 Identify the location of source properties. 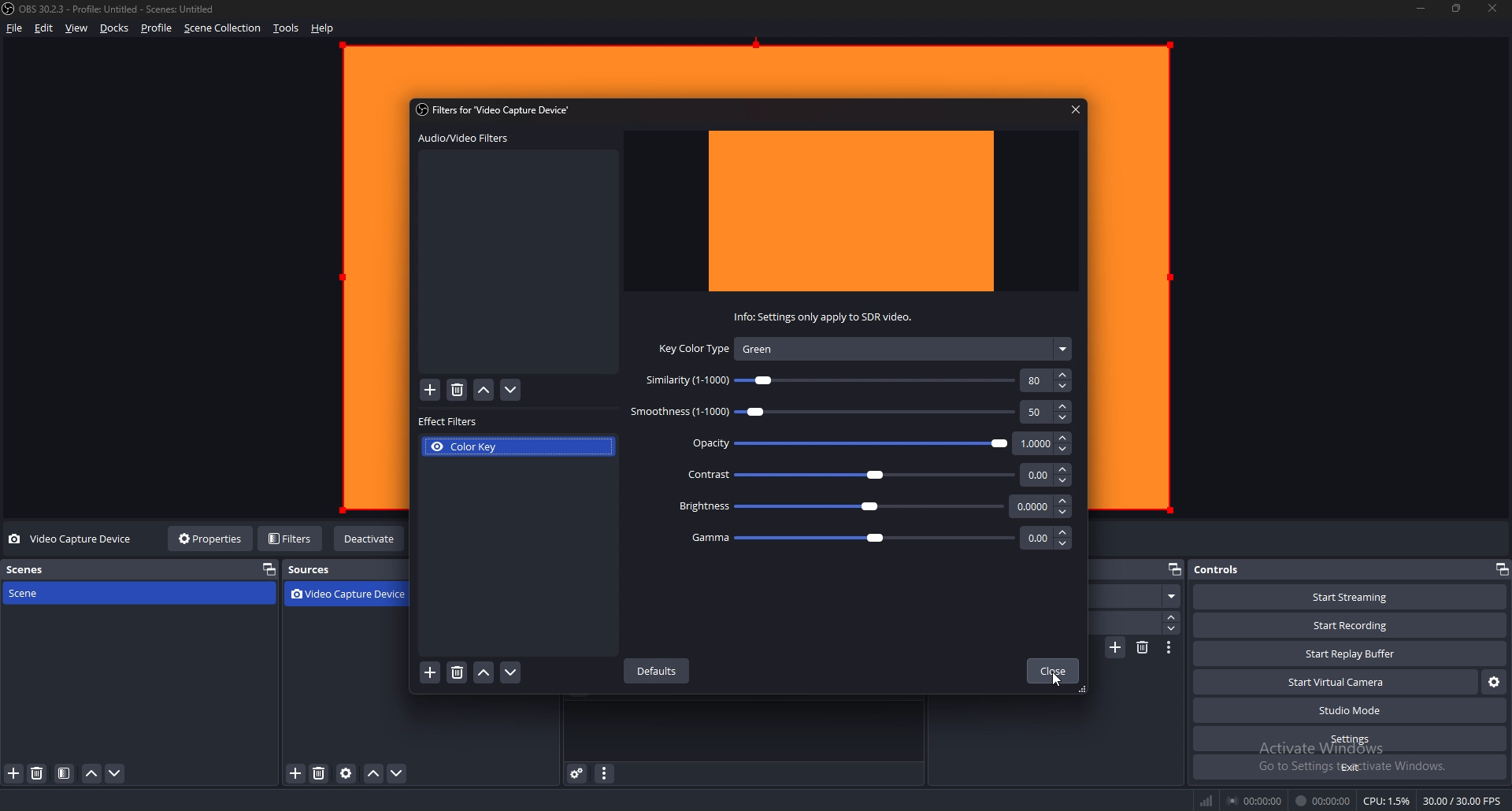
(346, 774).